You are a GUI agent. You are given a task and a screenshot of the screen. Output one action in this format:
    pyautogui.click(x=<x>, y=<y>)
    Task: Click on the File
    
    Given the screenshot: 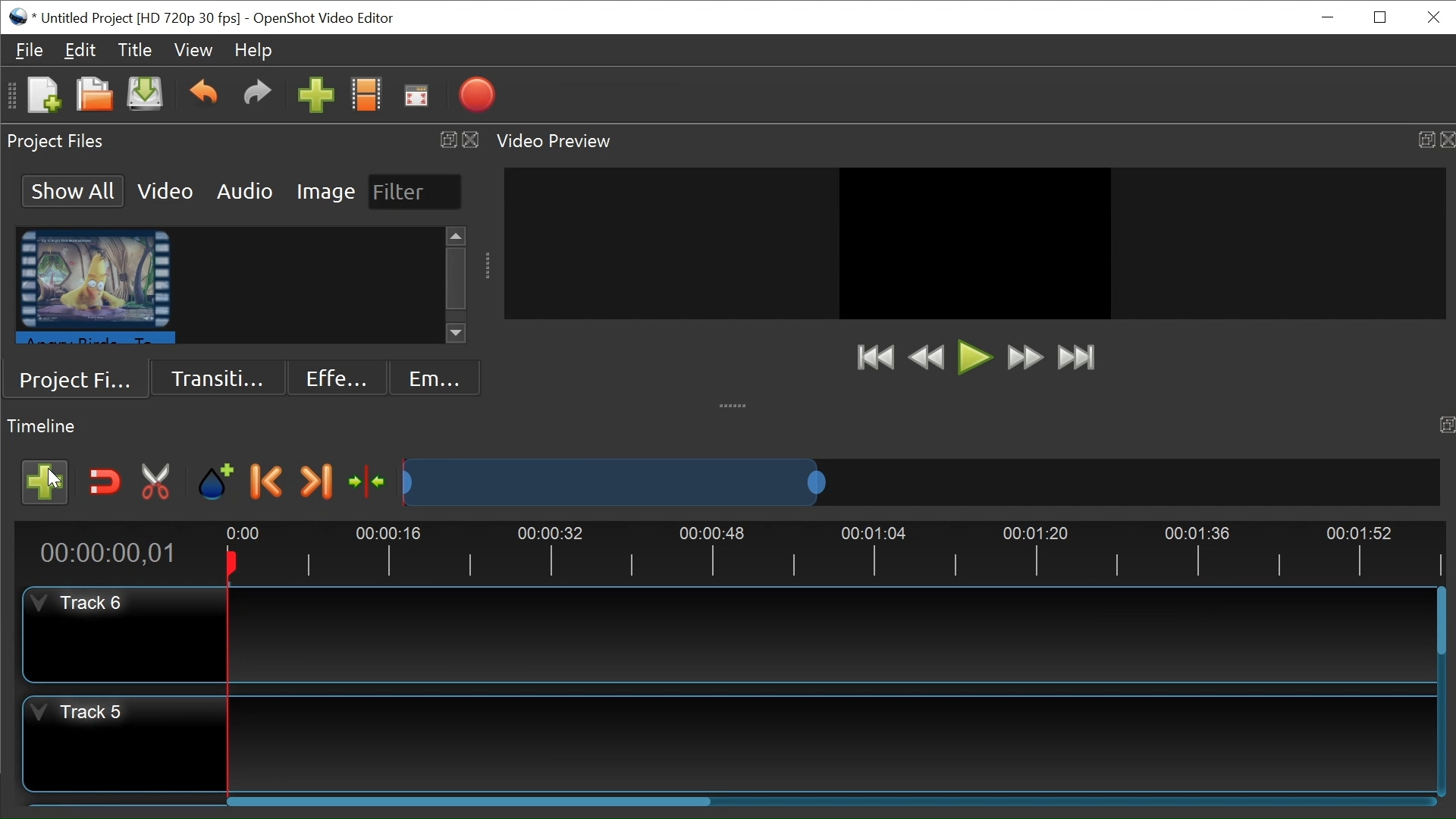 What is the action you would take?
    pyautogui.click(x=30, y=51)
    